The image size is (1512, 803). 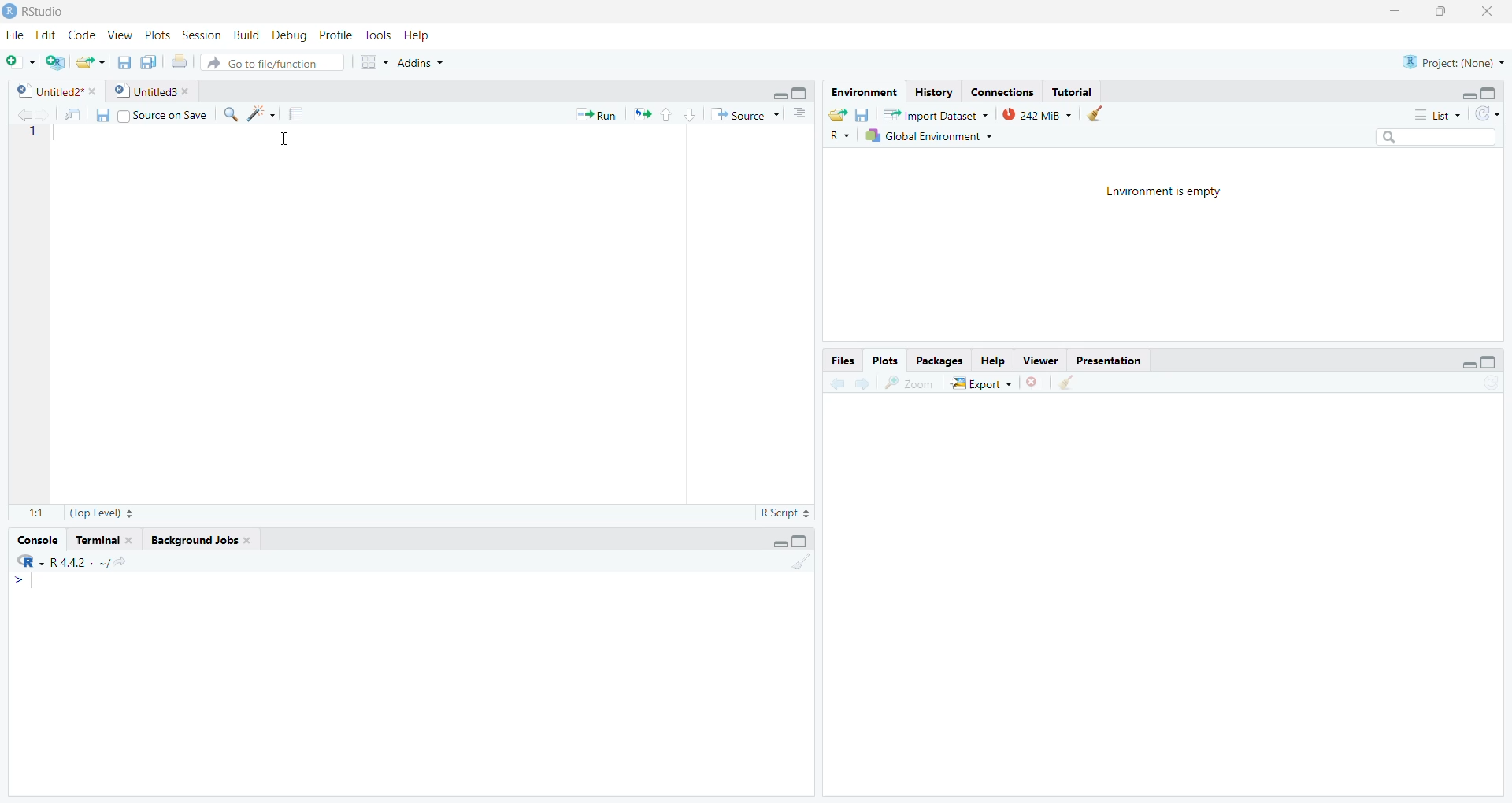 What do you see at coordinates (272, 61) in the screenshot?
I see `A Go to file/function` at bounding box center [272, 61].